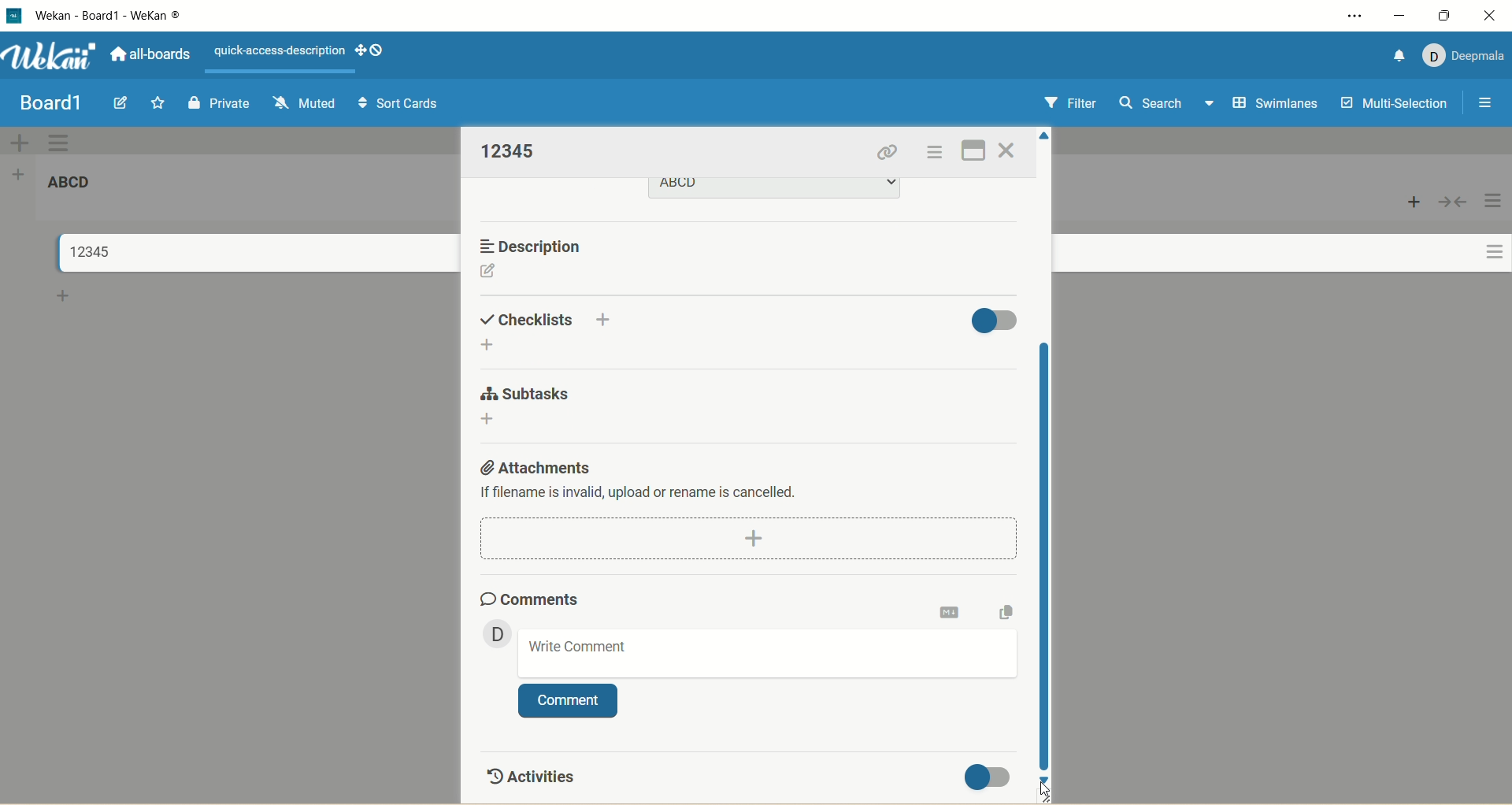 The width and height of the screenshot is (1512, 805). I want to click on text, so click(280, 51).